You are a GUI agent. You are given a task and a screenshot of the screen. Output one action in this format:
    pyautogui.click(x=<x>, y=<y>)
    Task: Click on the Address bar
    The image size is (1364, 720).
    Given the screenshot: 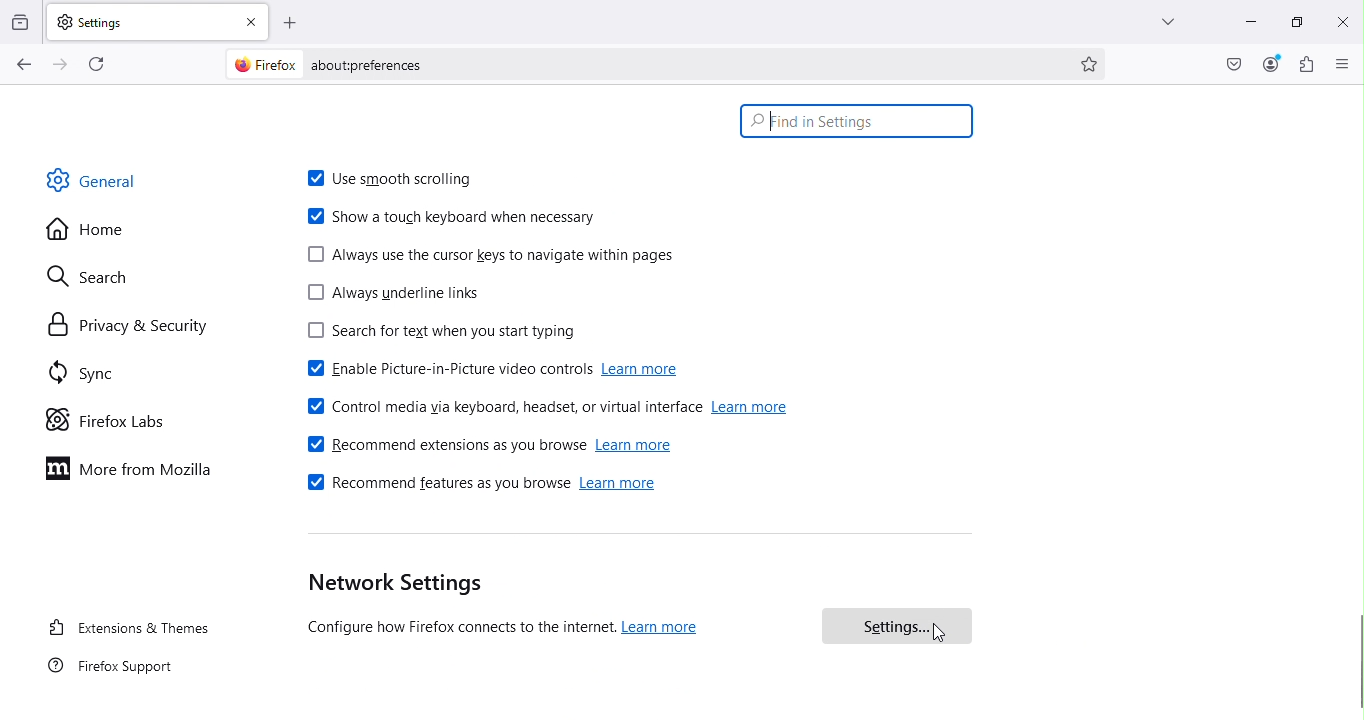 What is the action you would take?
    pyautogui.click(x=690, y=64)
    